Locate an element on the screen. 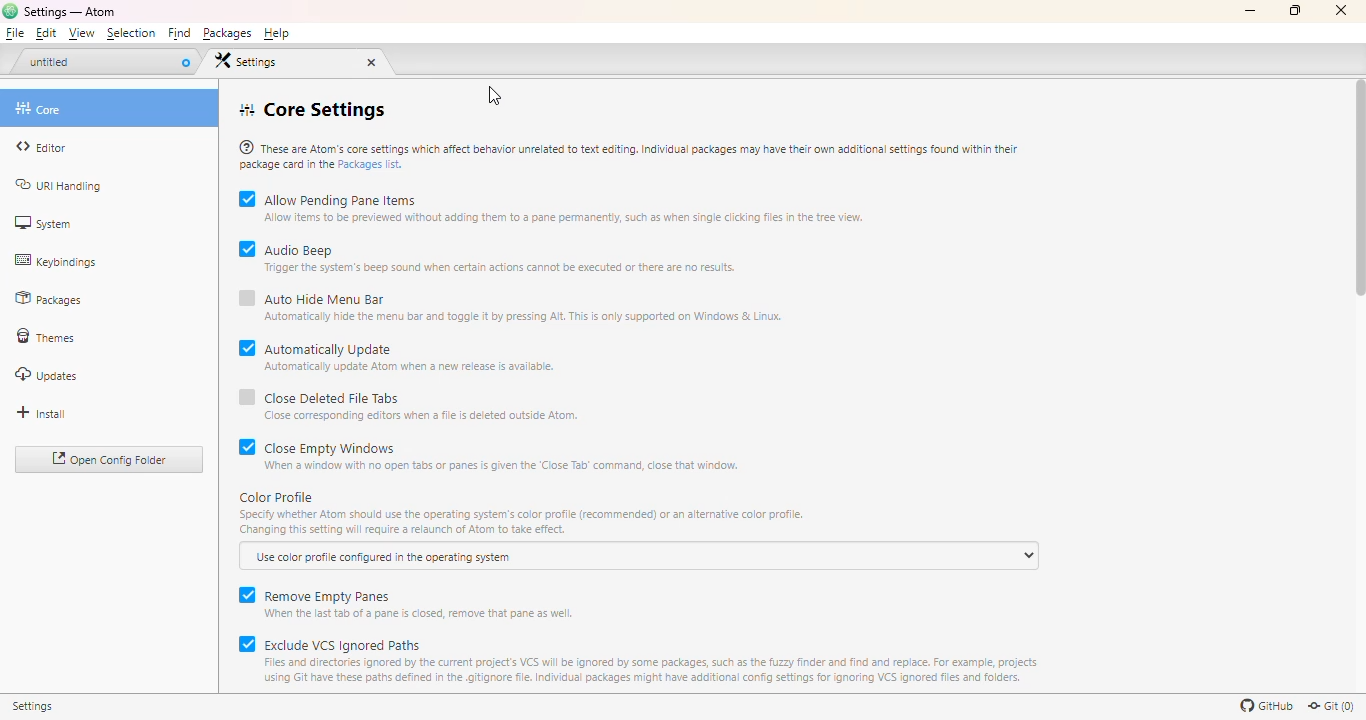 This screenshot has height=720, width=1366. keybindings is located at coordinates (55, 261).